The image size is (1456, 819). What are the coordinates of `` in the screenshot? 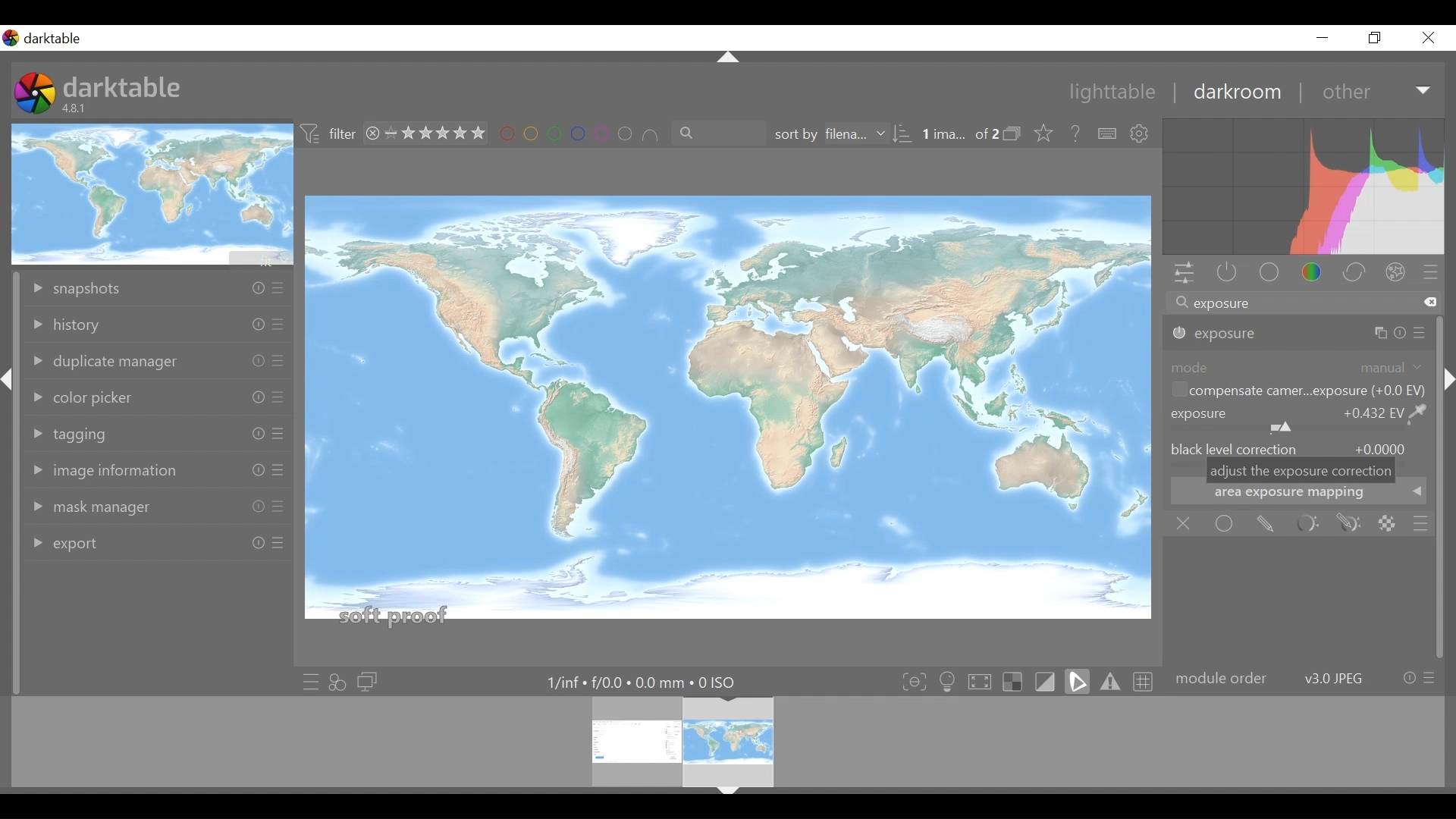 It's located at (278, 290).